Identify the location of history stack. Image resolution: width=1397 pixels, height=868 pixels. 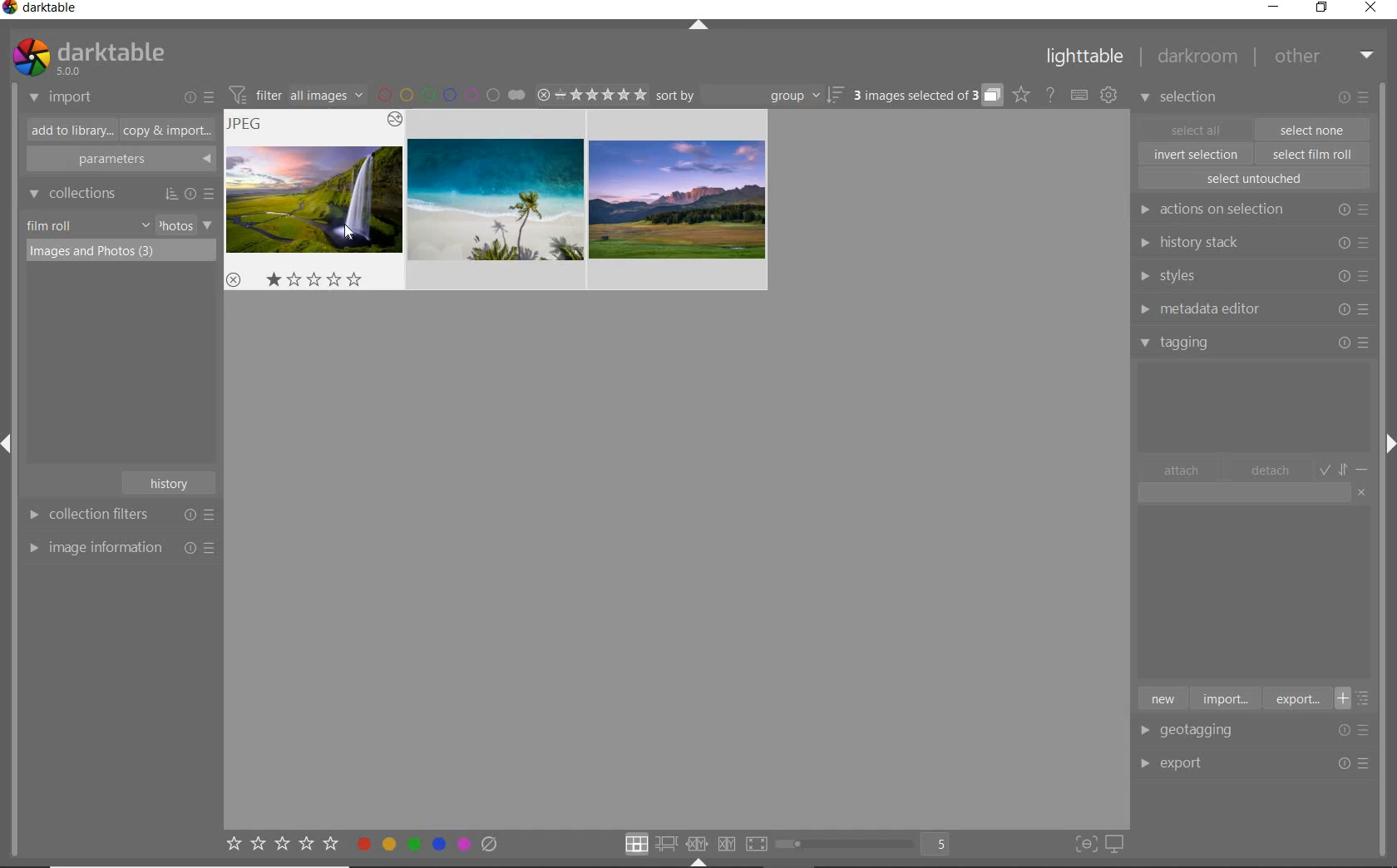
(1251, 242).